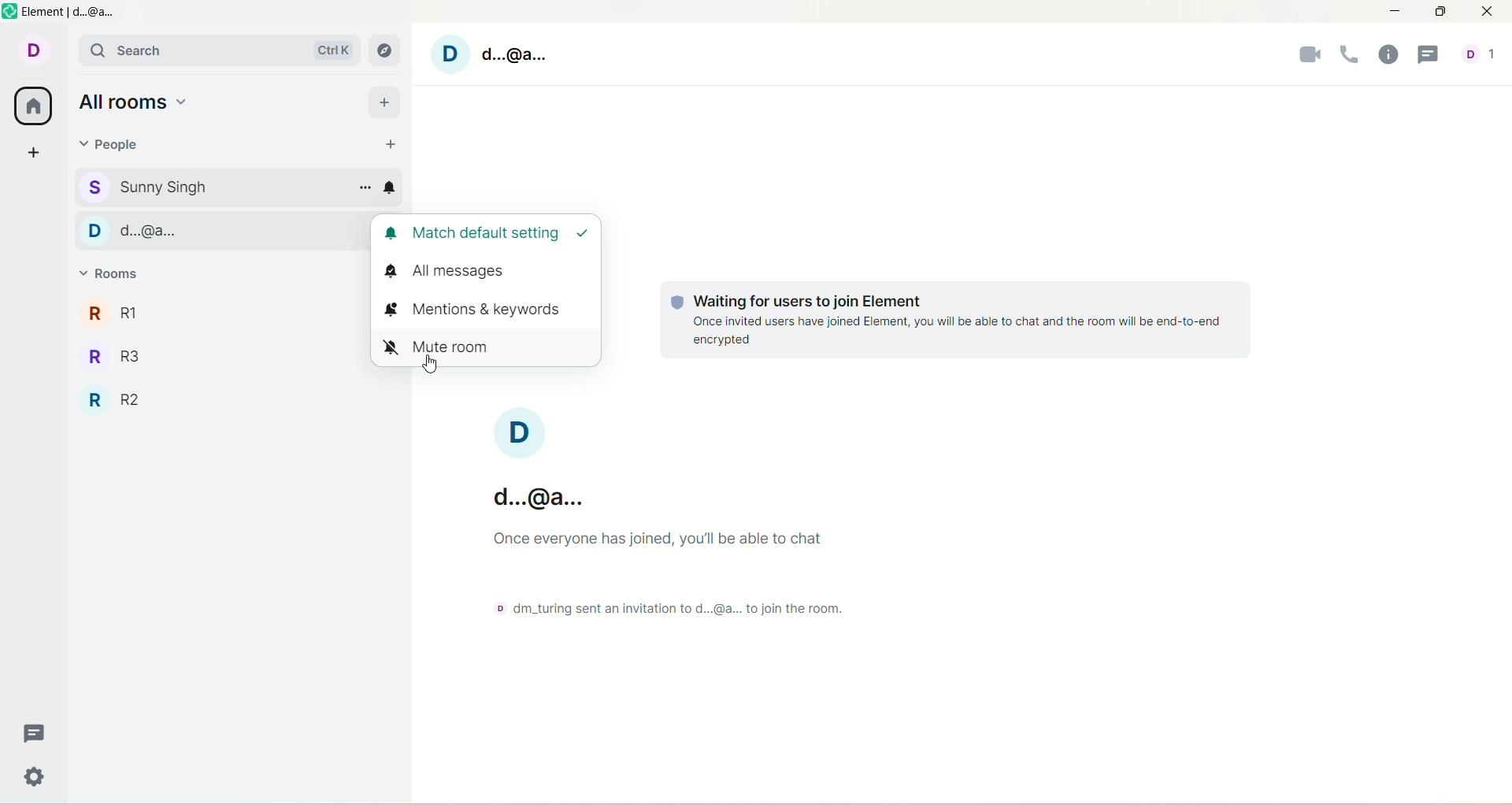 The height and width of the screenshot is (805, 1512). Describe the element at coordinates (488, 236) in the screenshot. I see `match default setting` at that location.